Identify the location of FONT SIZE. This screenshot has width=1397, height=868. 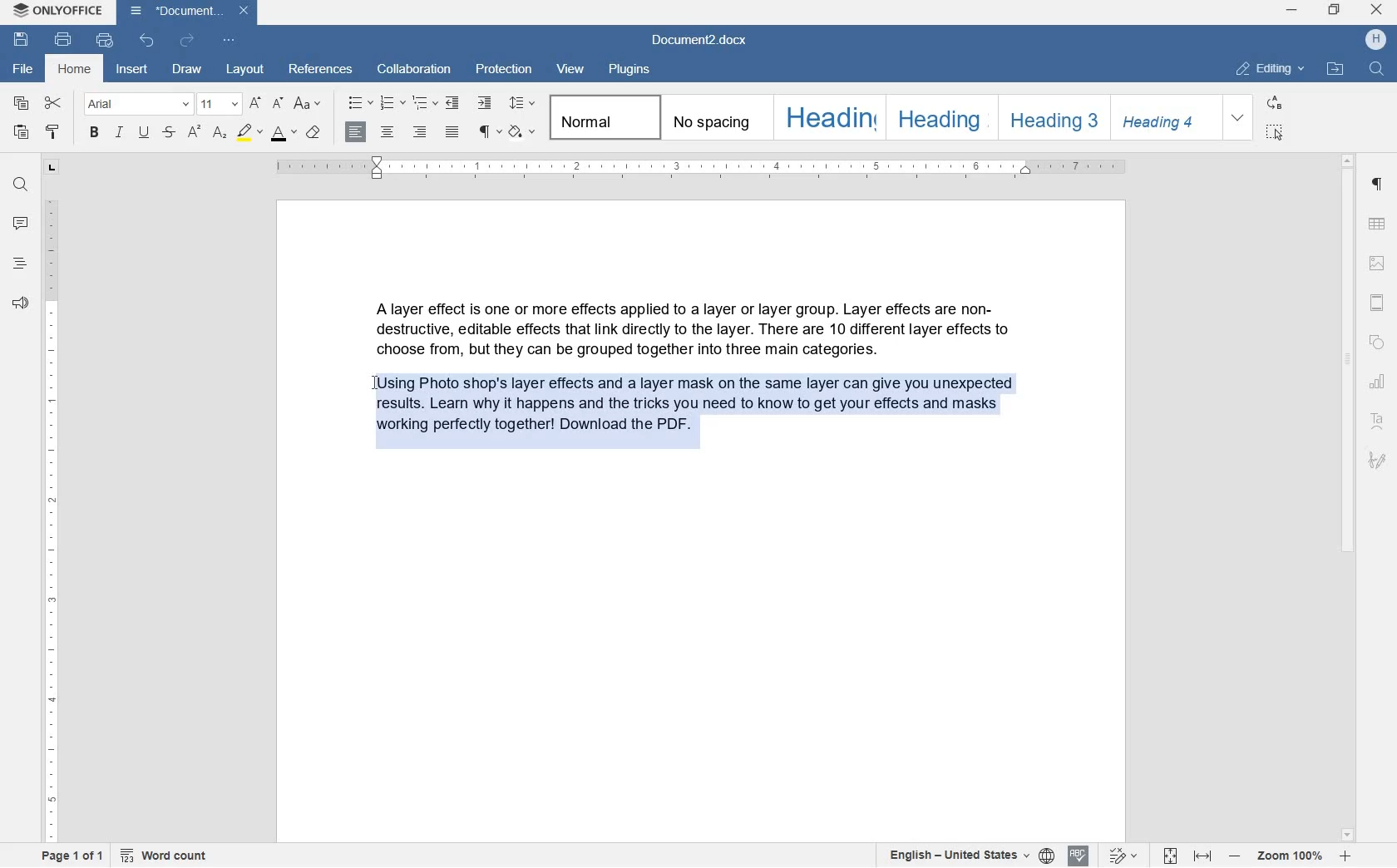
(218, 103).